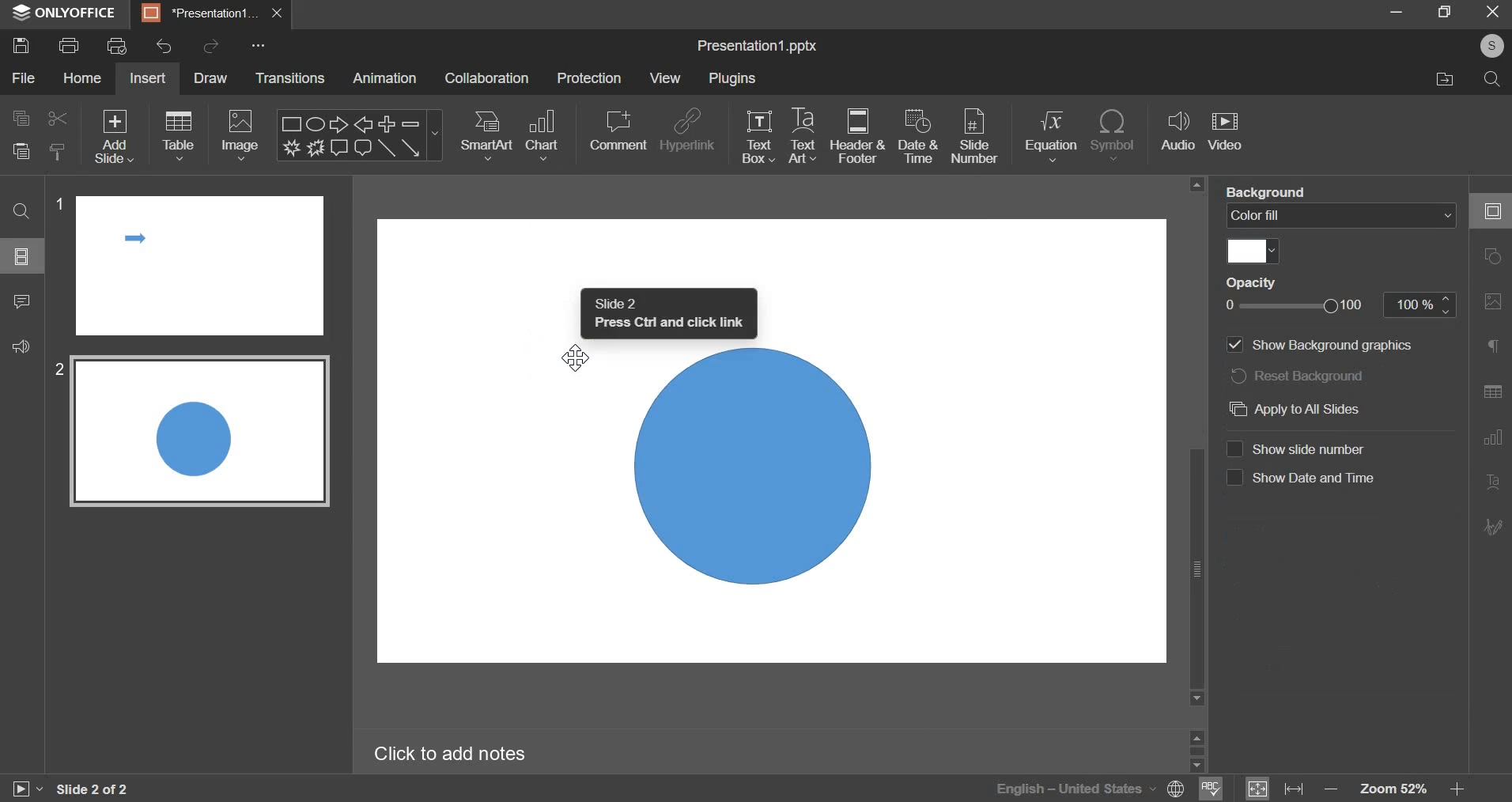  What do you see at coordinates (23, 78) in the screenshot?
I see `file` at bounding box center [23, 78].